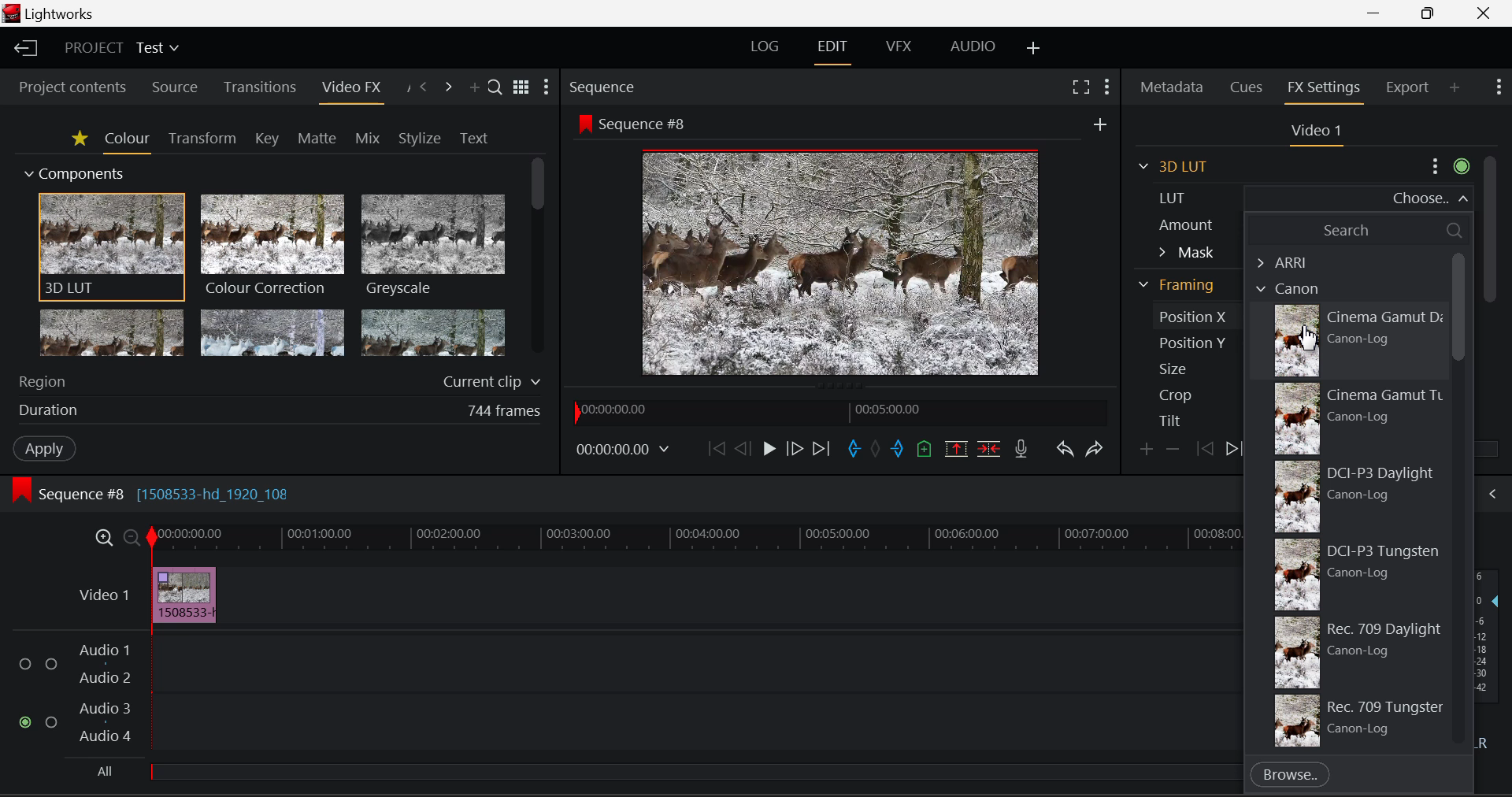 The width and height of the screenshot is (1512, 797). Describe the element at coordinates (277, 380) in the screenshot. I see `Region` at that location.